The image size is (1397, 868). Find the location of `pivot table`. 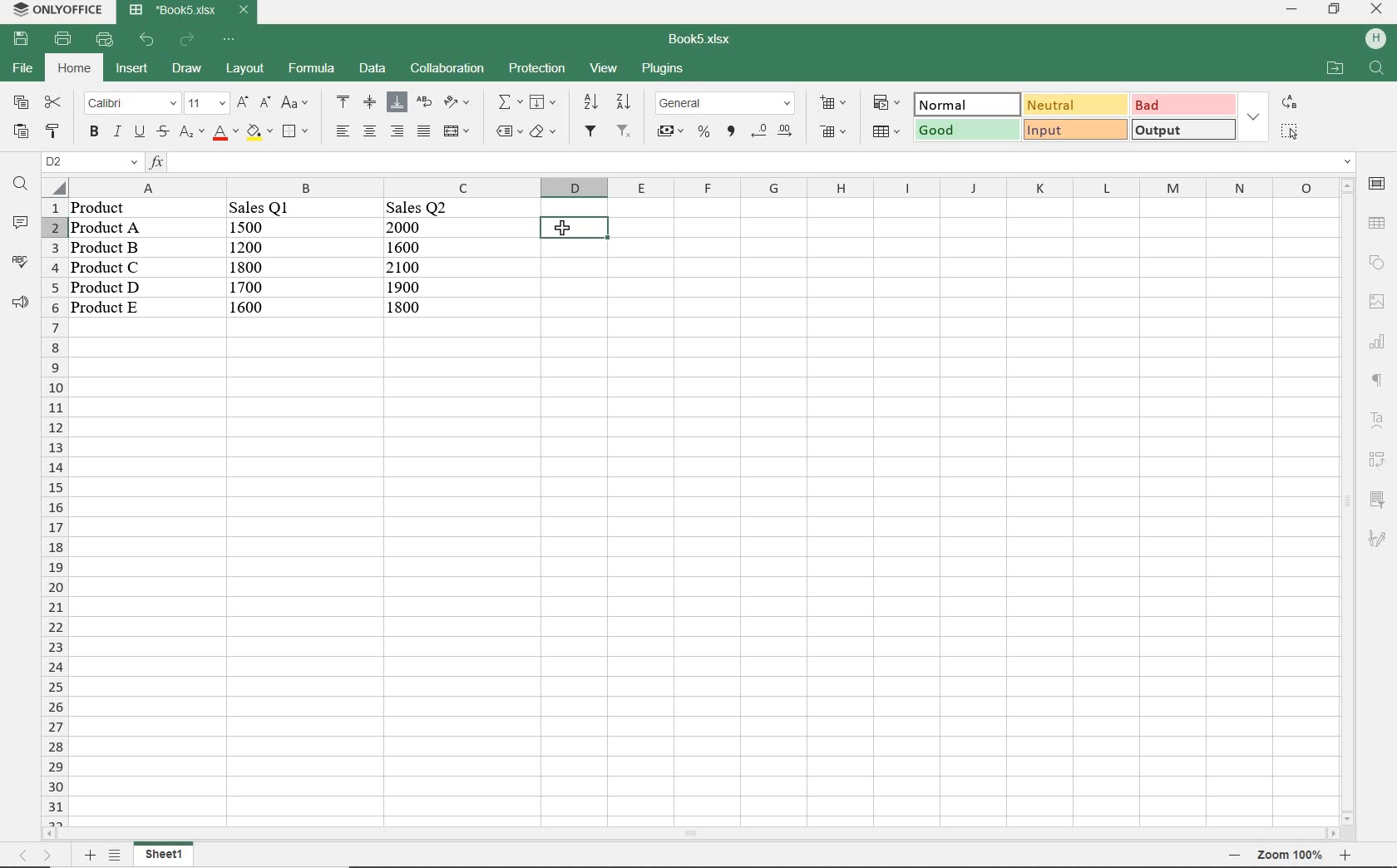

pivot table is located at coordinates (1377, 461).